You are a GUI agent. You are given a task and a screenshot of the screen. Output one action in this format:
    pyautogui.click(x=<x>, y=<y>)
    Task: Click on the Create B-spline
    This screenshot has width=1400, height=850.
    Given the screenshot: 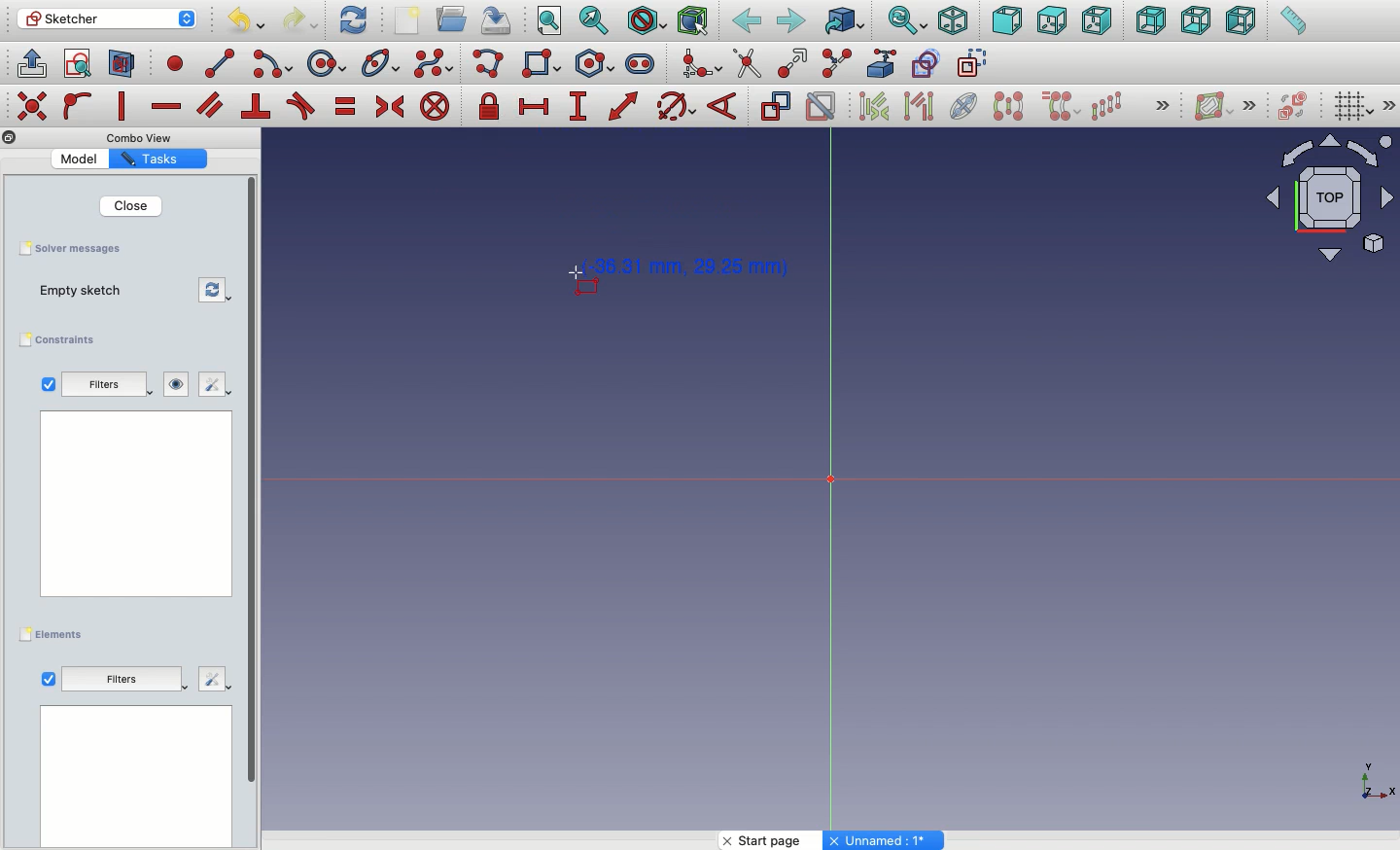 What is the action you would take?
    pyautogui.click(x=434, y=62)
    